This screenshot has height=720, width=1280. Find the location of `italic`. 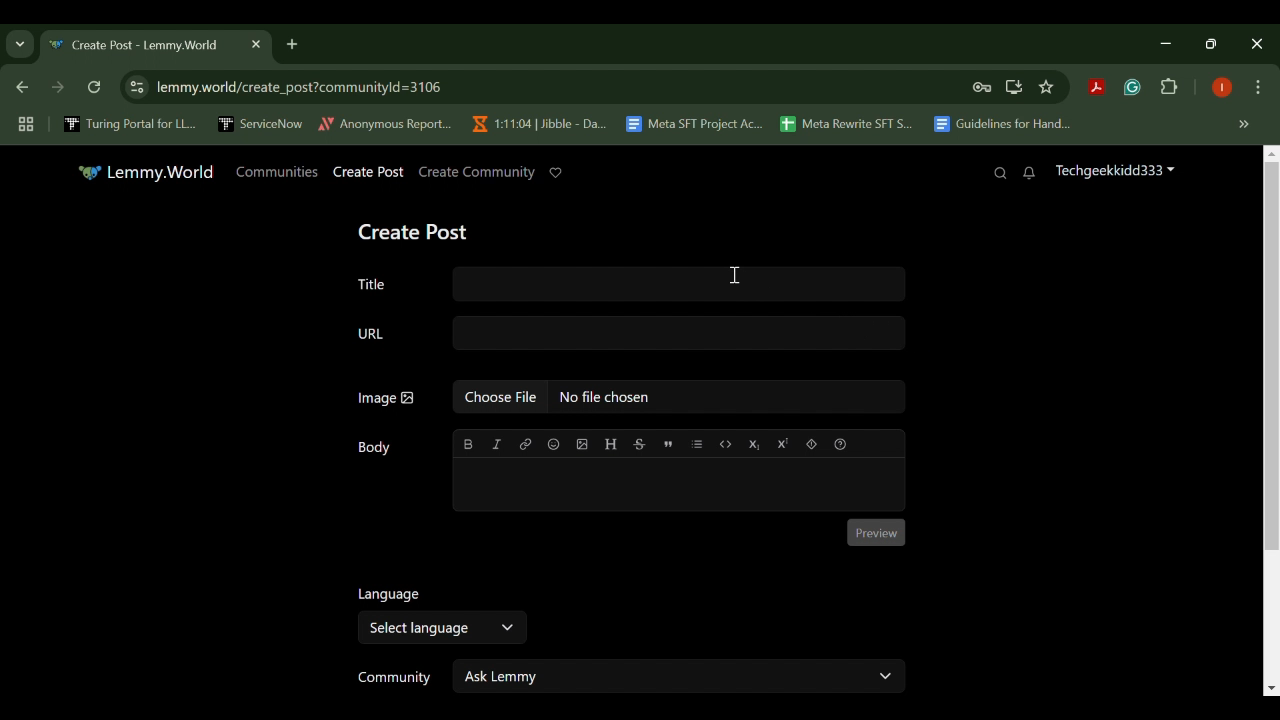

italic is located at coordinates (497, 444).